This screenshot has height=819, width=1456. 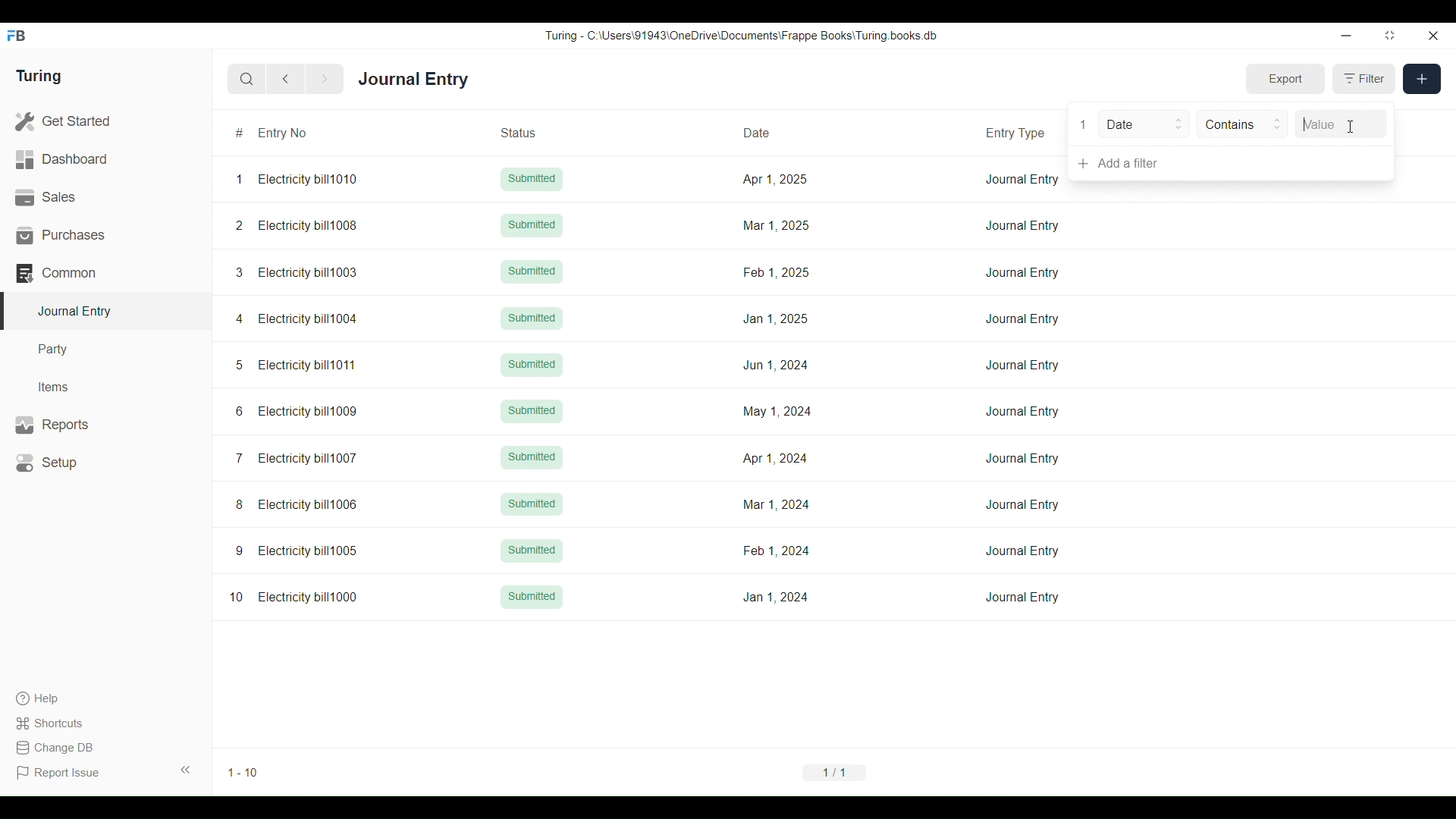 What do you see at coordinates (1084, 124) in the screenshot?
I see `1` at bounding box center [1084, 124].